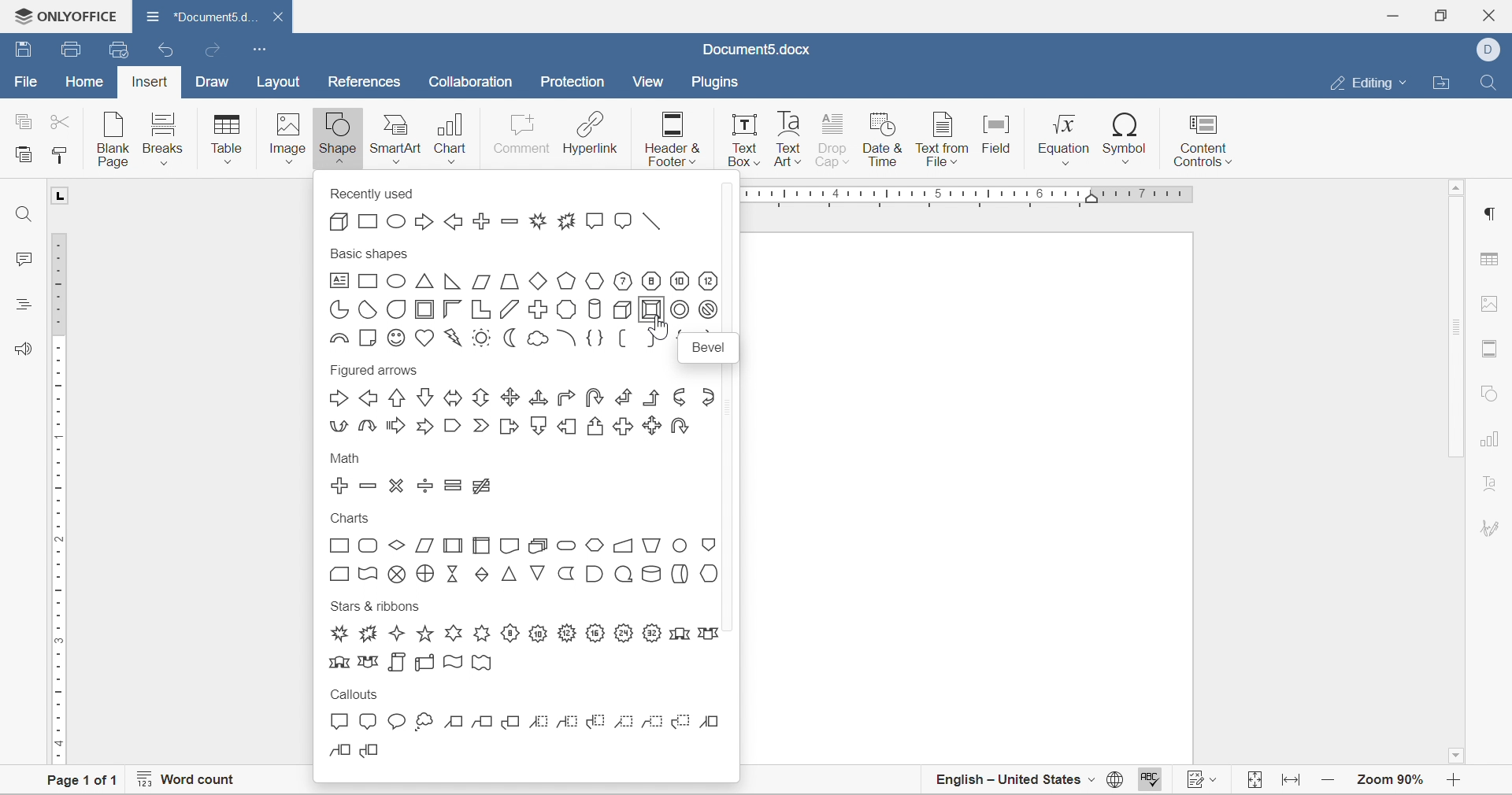  What do you see at coordinates (647, 85) in the screenshot?
I see `view` at bounding box center [647, 85].